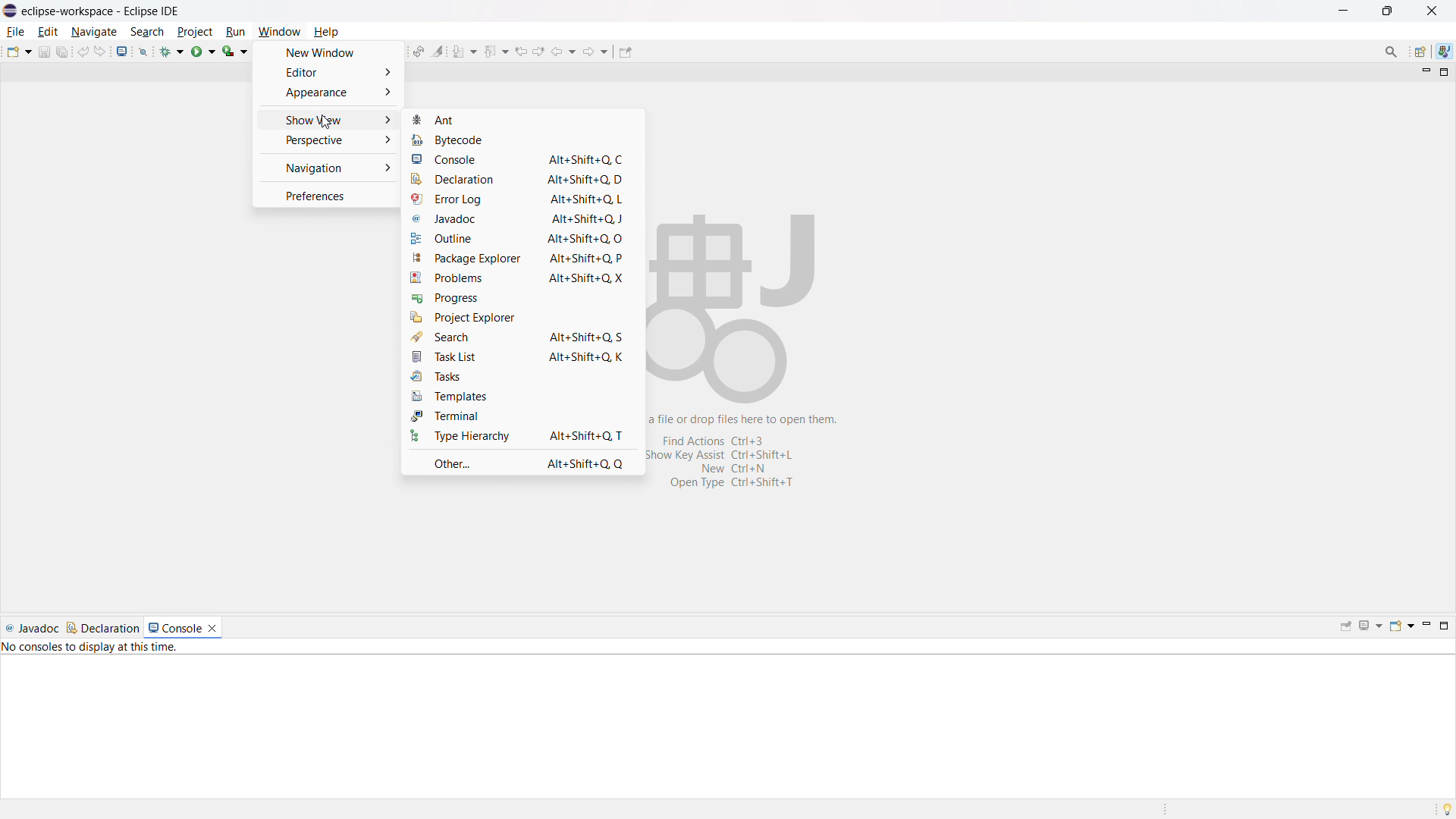 The image size is (1456, 819). What do you see at coordinates (1445, 71) in the screenshot?
I see `maximize` at bounding box center [1445, 71].